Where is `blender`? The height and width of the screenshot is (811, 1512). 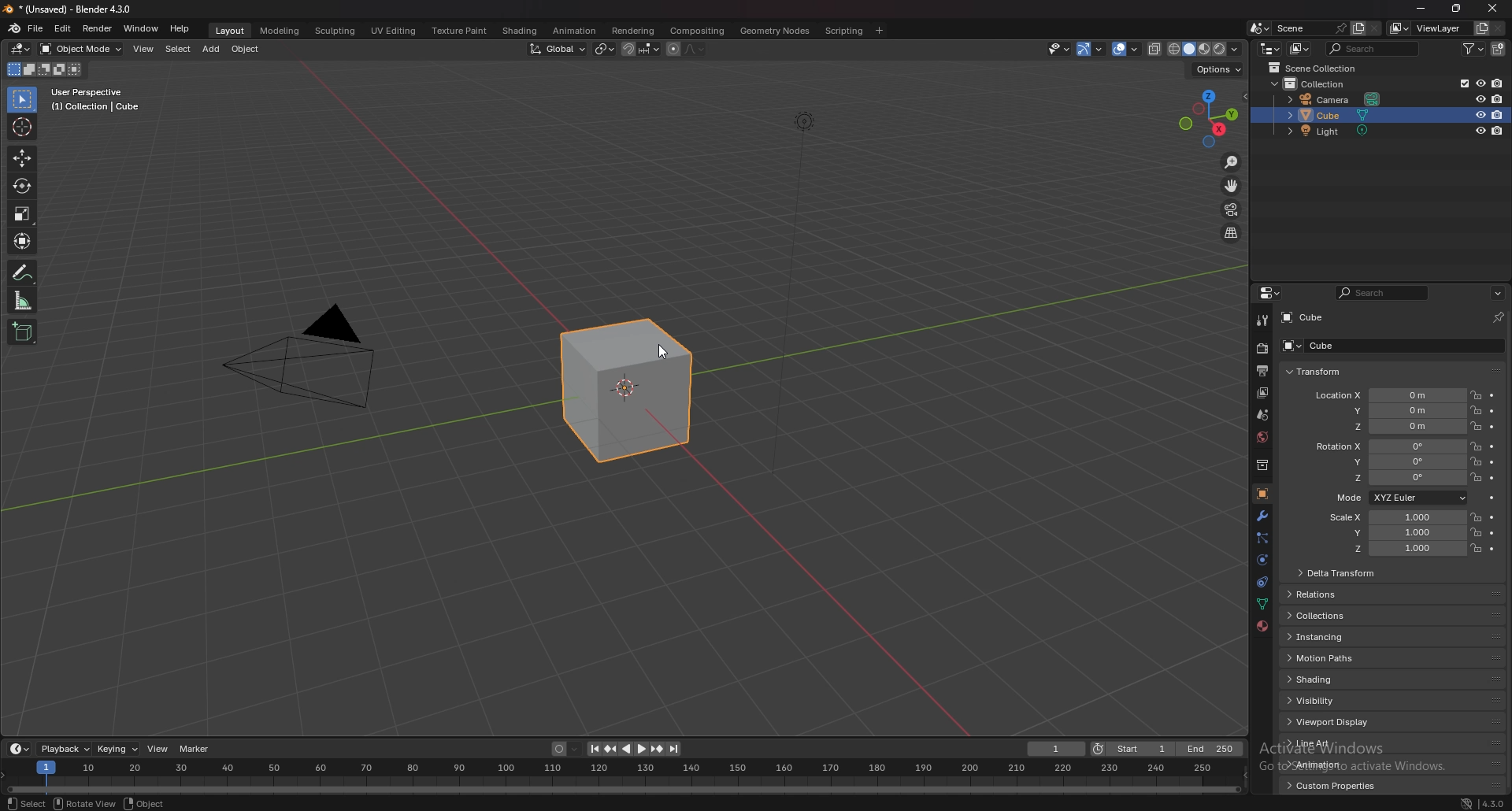
blender is located at coordinates (13, 28).